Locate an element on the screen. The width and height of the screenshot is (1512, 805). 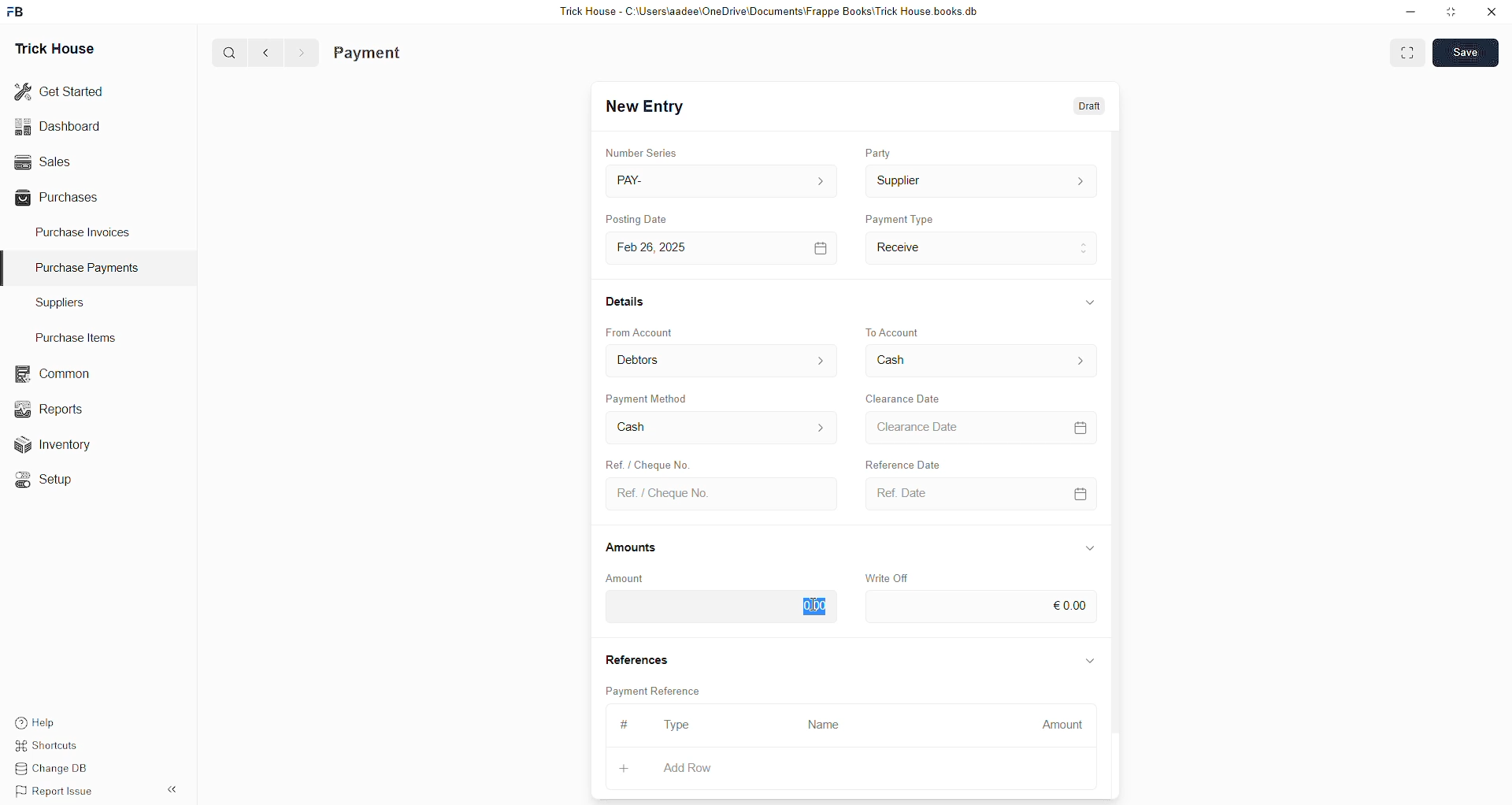
Add Row is located at coordinates (687, 767).